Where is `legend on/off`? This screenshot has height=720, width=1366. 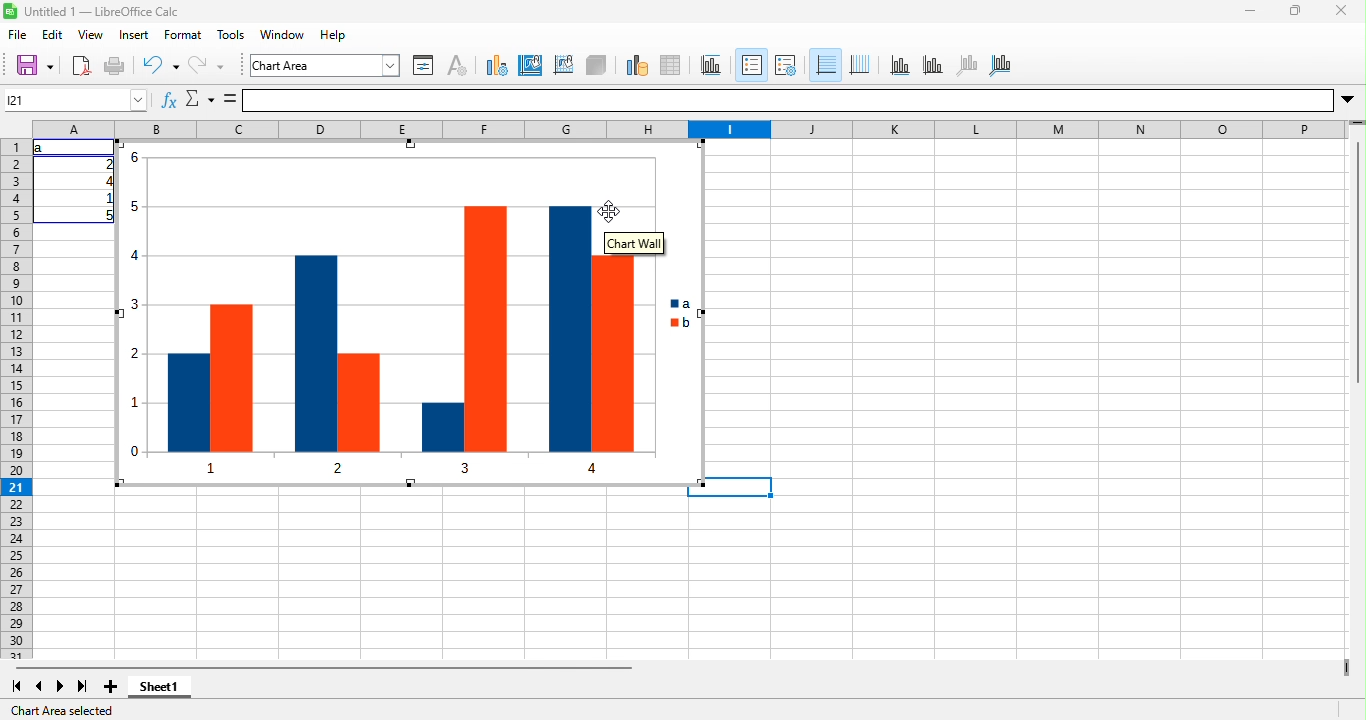
legend on/off is located at coordinates (752, 65).